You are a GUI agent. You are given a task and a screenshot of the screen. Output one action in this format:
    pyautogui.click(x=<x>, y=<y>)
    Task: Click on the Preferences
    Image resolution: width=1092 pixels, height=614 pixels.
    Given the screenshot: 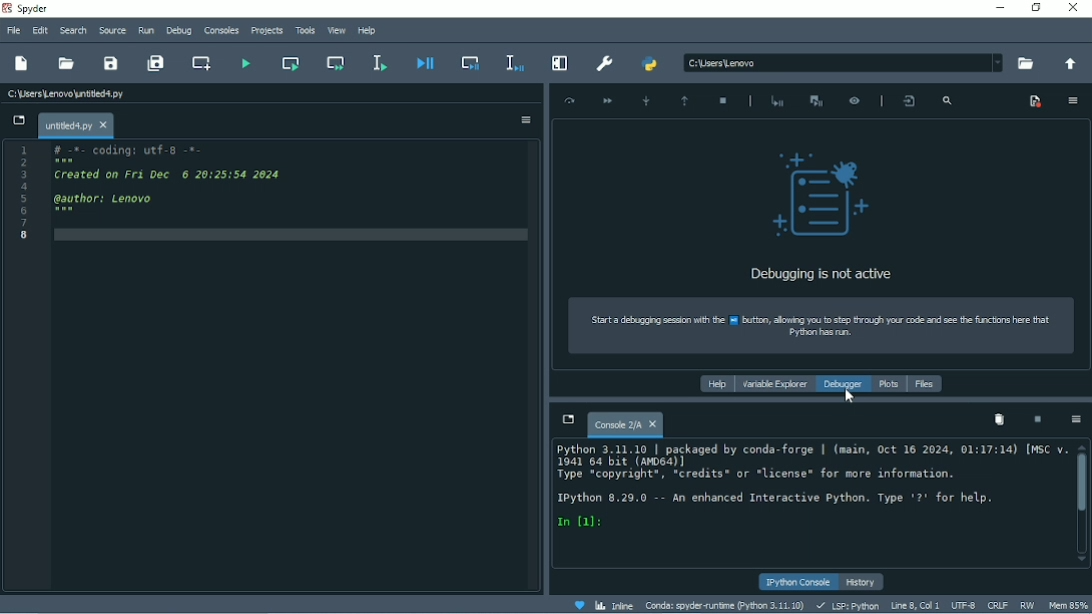 What is the action you would take?
    pyautogui.click(x=605, y=62)
    